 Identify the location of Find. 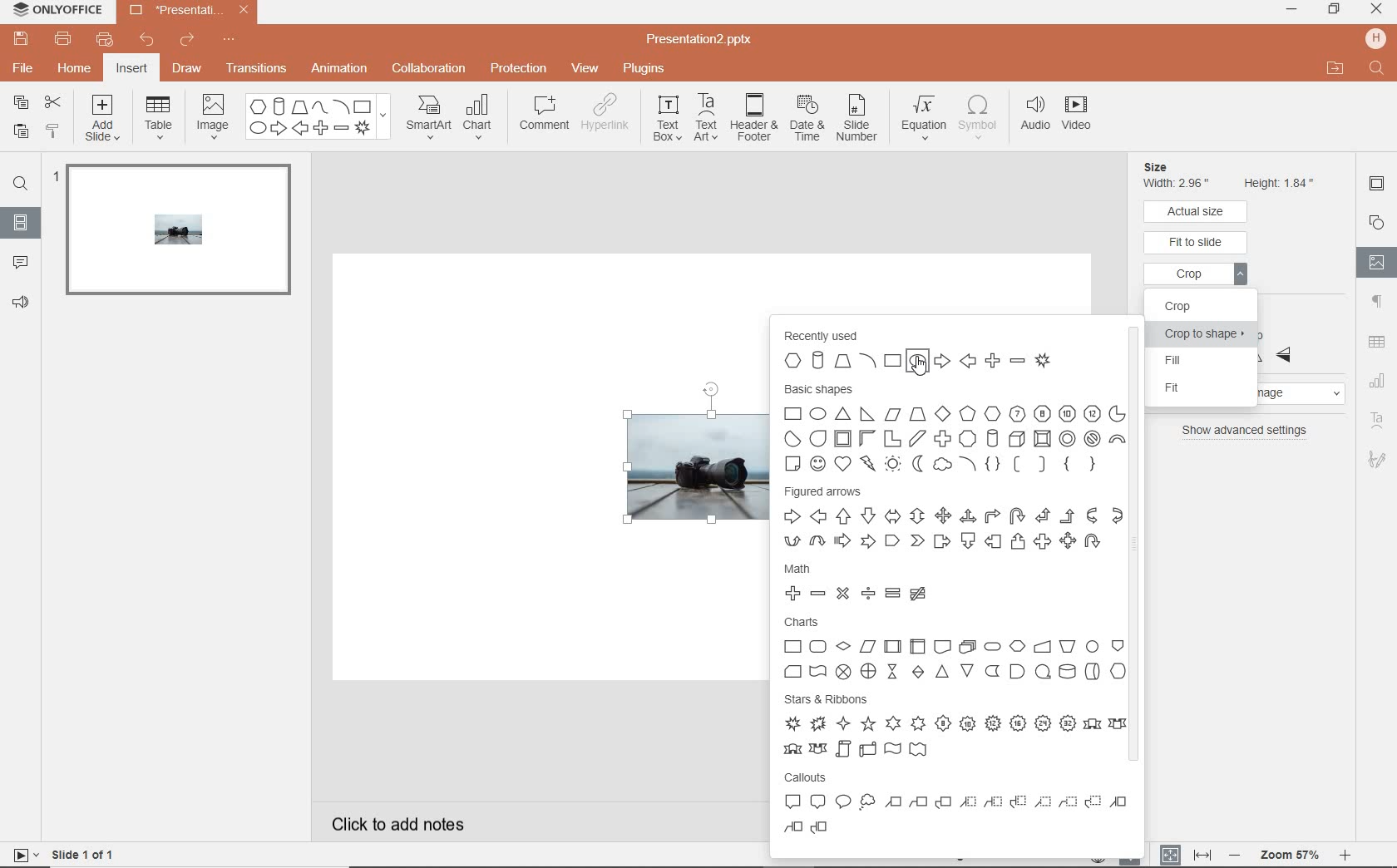
(1375, 68).